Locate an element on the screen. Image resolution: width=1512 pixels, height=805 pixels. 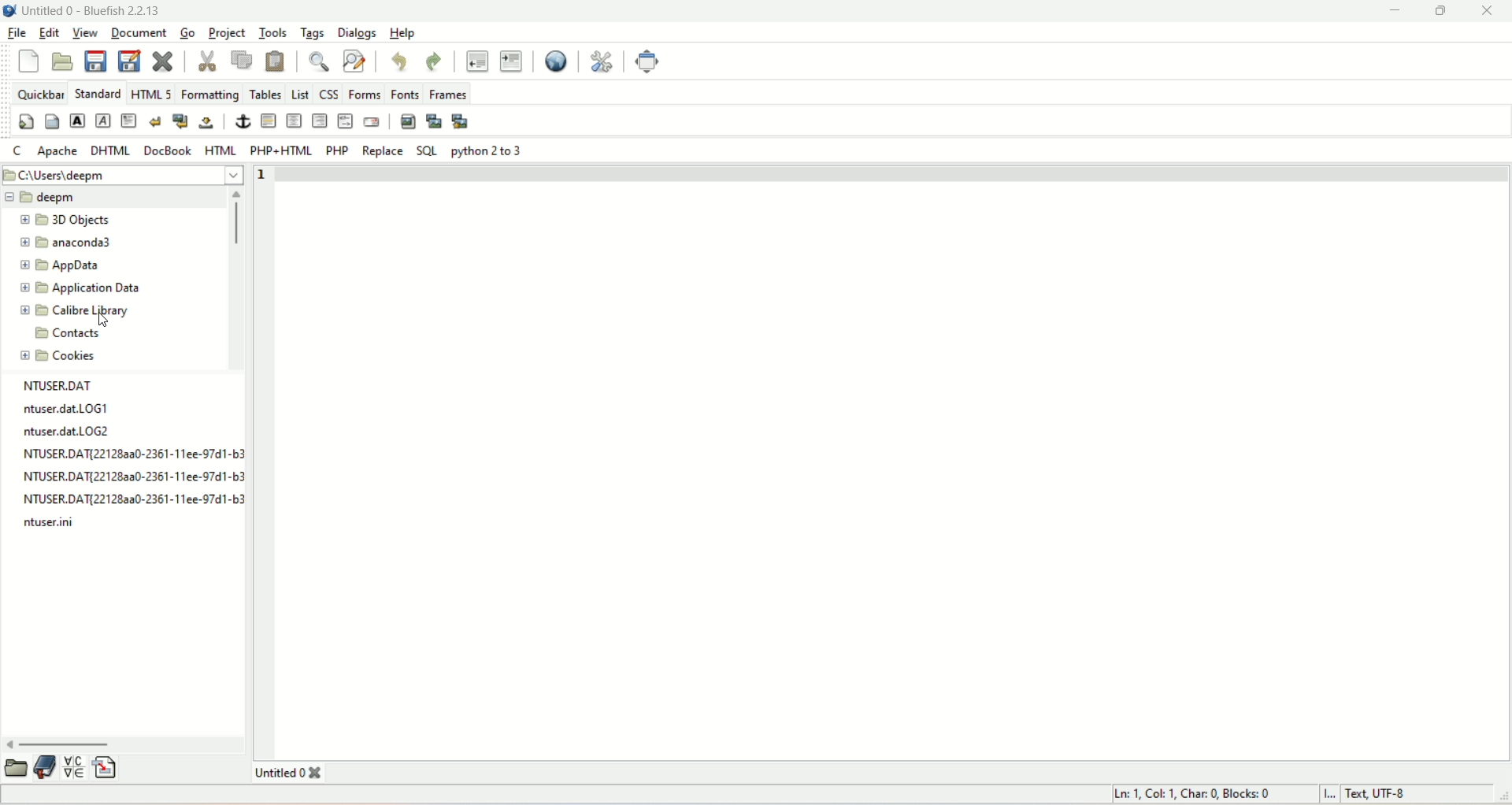
indent is located at coordinates (510, 60).